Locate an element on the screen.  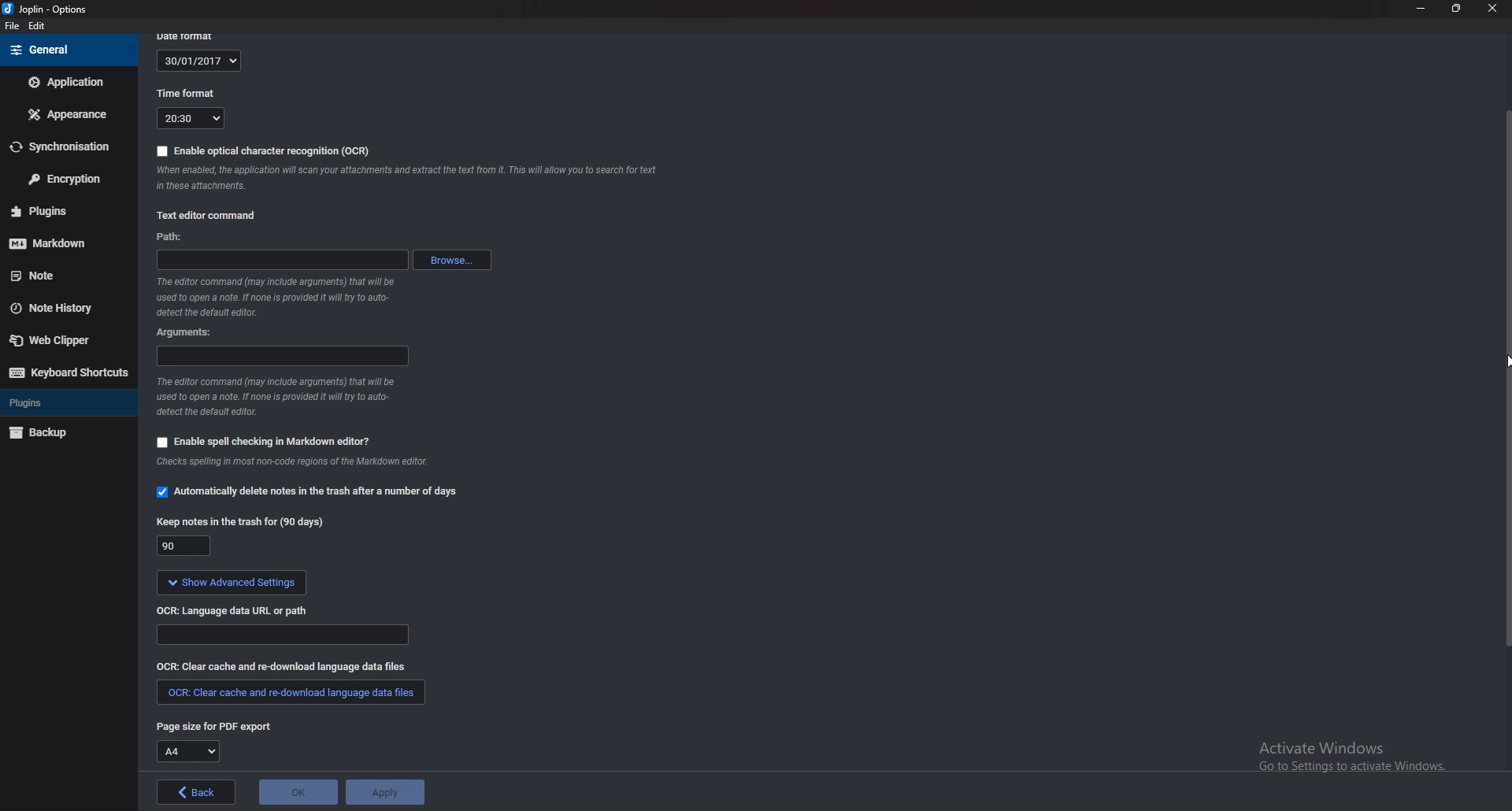
30/01/2017 is located at coordinates (198, 61).